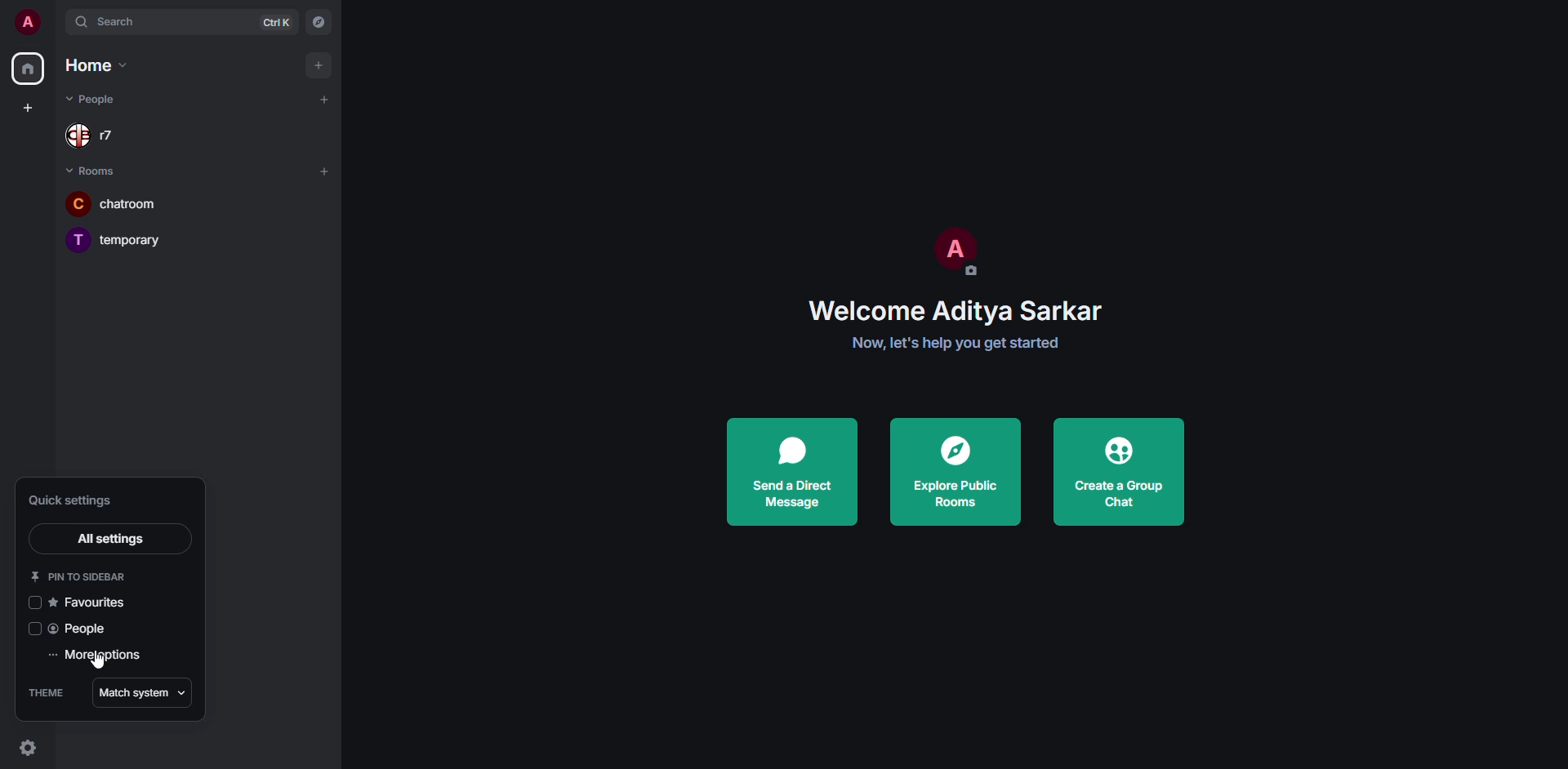  Describe the element at coordinates (144, 692) in the screenshot. I see `match system` at that location.